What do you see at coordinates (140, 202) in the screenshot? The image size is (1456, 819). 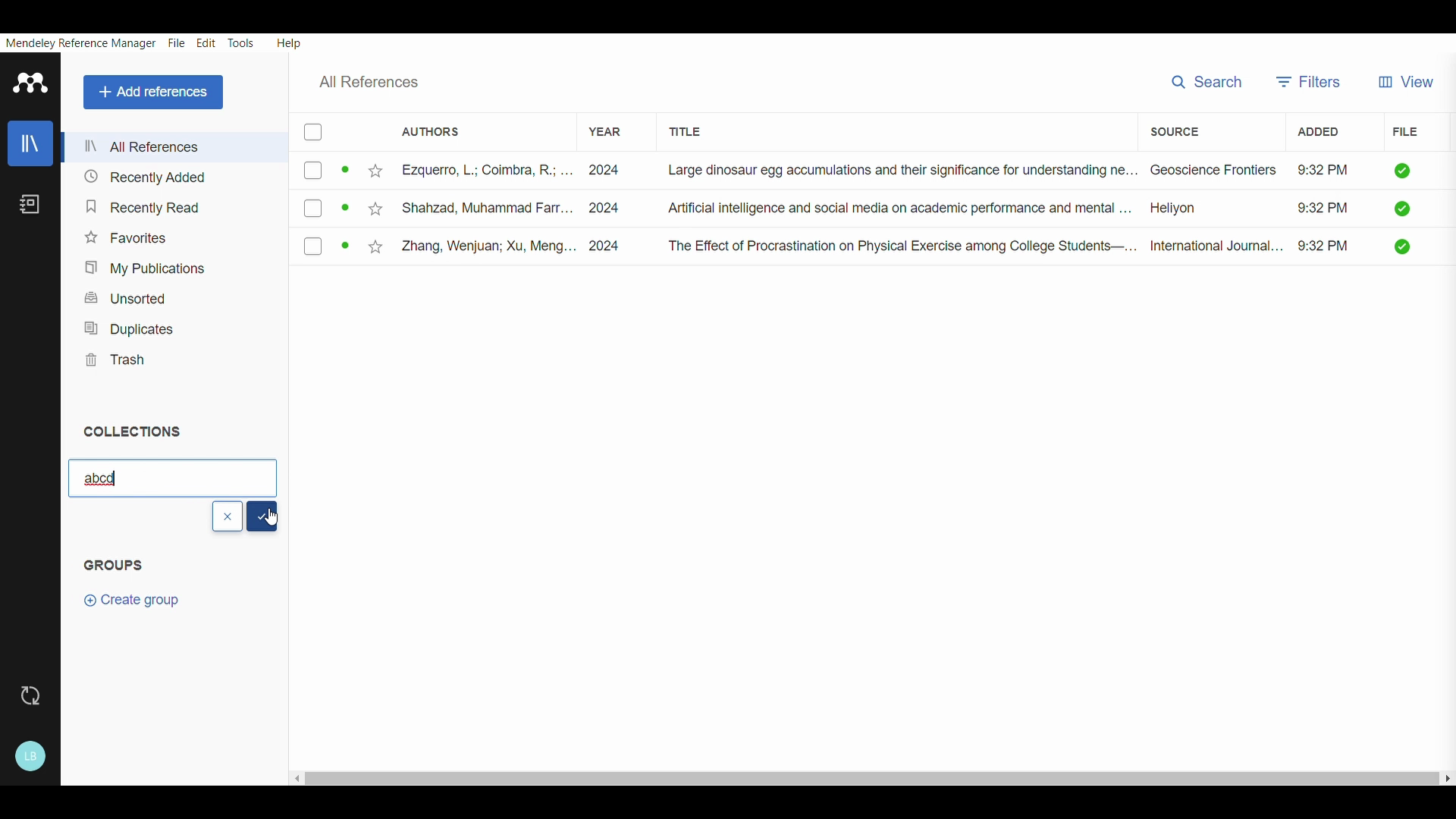 I see `Recently Read` at bounding box center [140, 202].